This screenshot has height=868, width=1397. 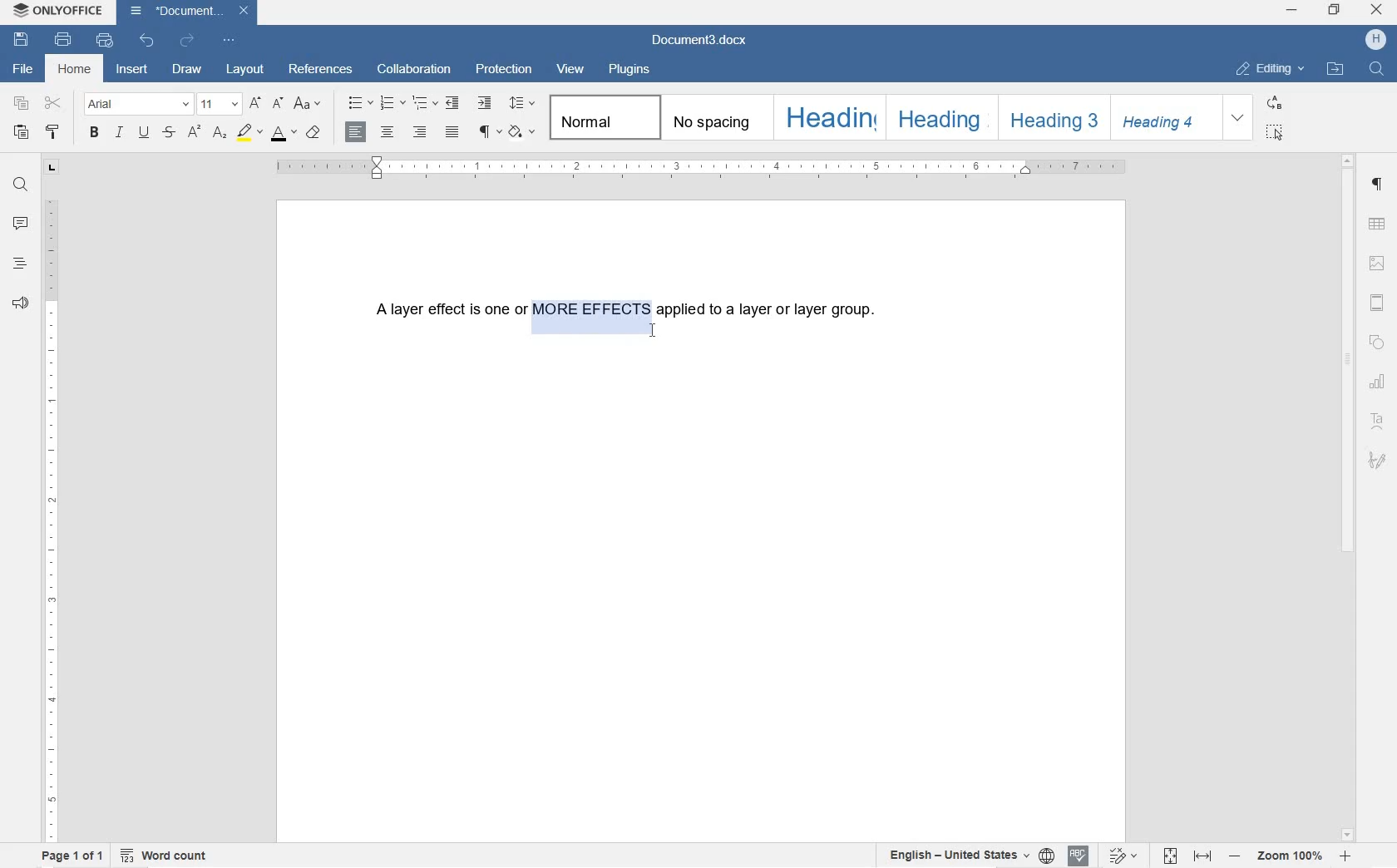 What do you see at coordinates (452, 104) in the screenshot?
I see `DECREASE INDENT` at bounding box center [452, 104].